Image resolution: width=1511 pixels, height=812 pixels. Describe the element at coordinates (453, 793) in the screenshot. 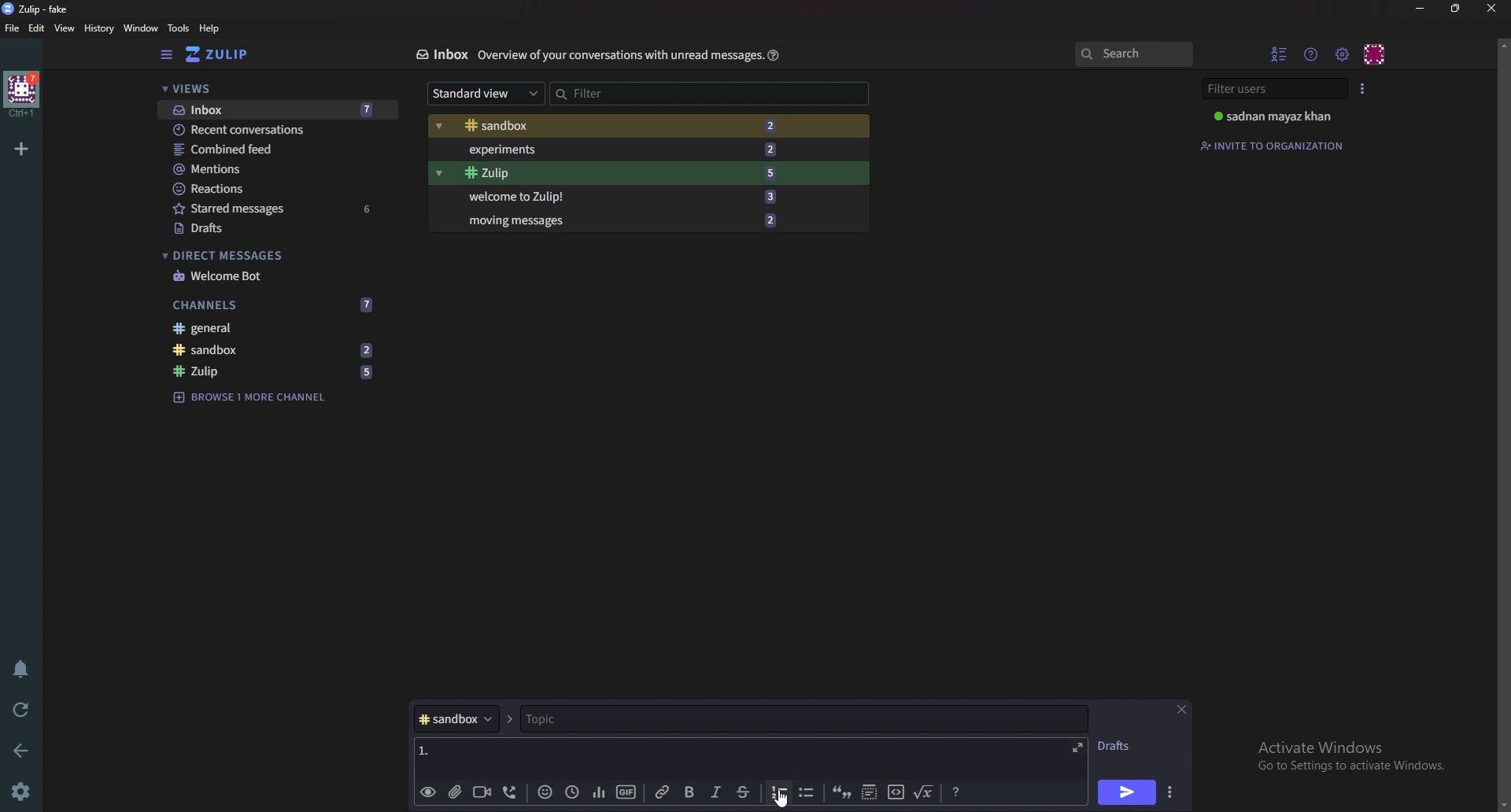

I see `Add a file` at that location.